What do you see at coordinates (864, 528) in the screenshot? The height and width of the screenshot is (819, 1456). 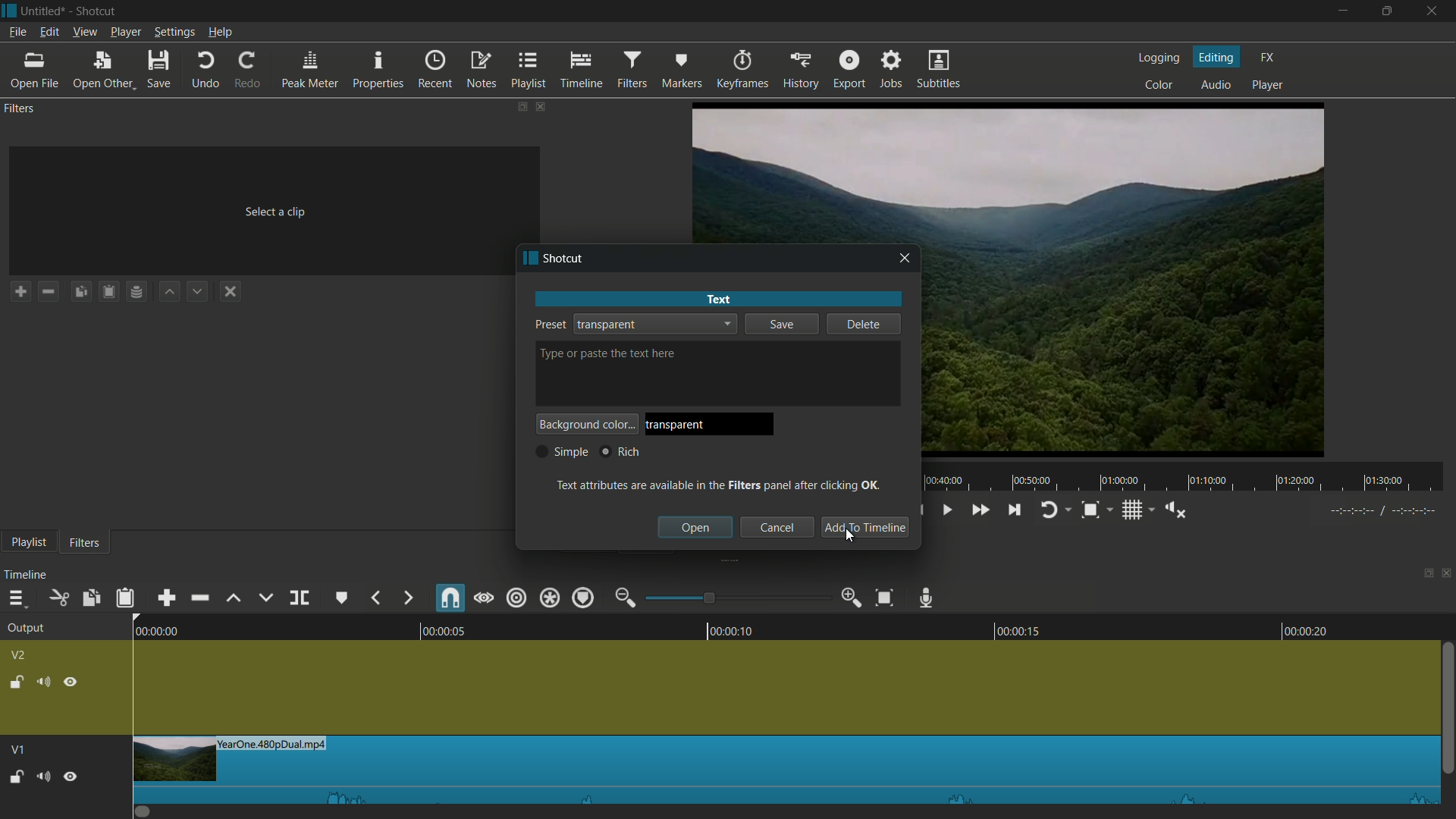 I see `add to timeline` at bounding box center [864, 528].